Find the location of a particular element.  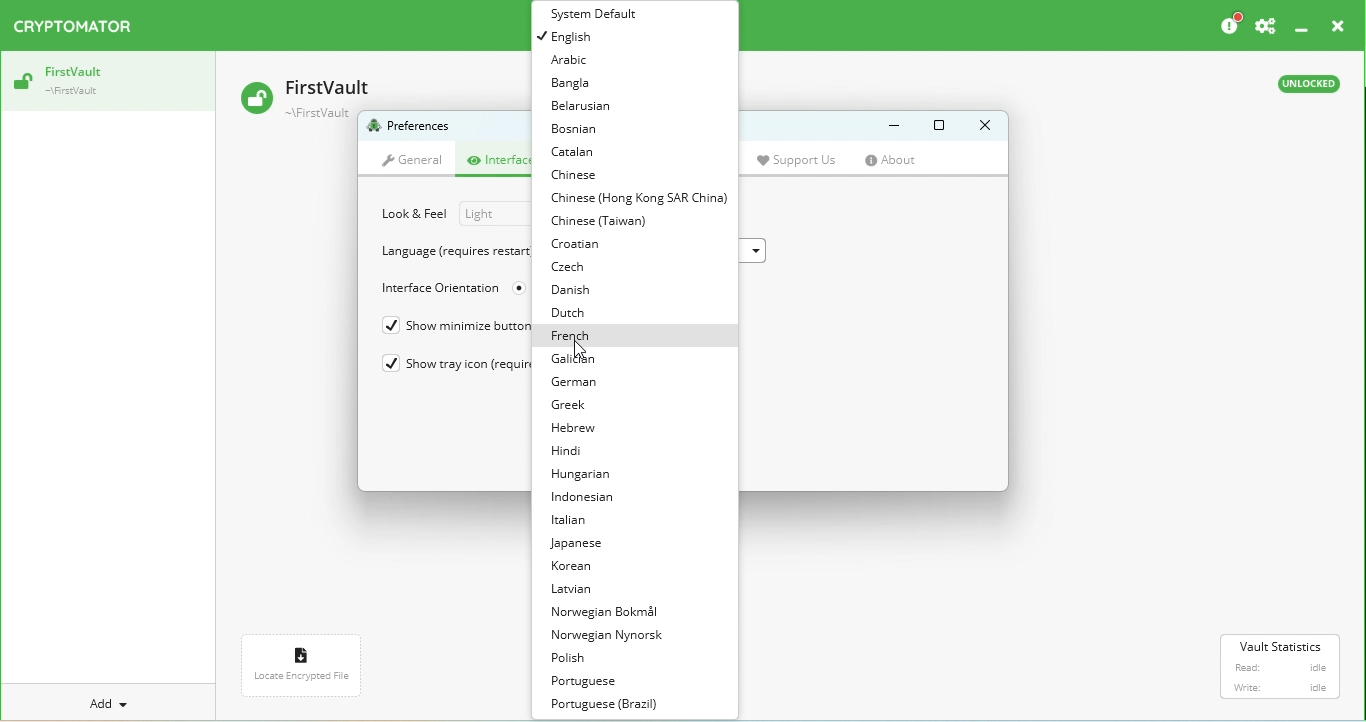

Norwegian Nynorsk is located at coordinates (617, 637).